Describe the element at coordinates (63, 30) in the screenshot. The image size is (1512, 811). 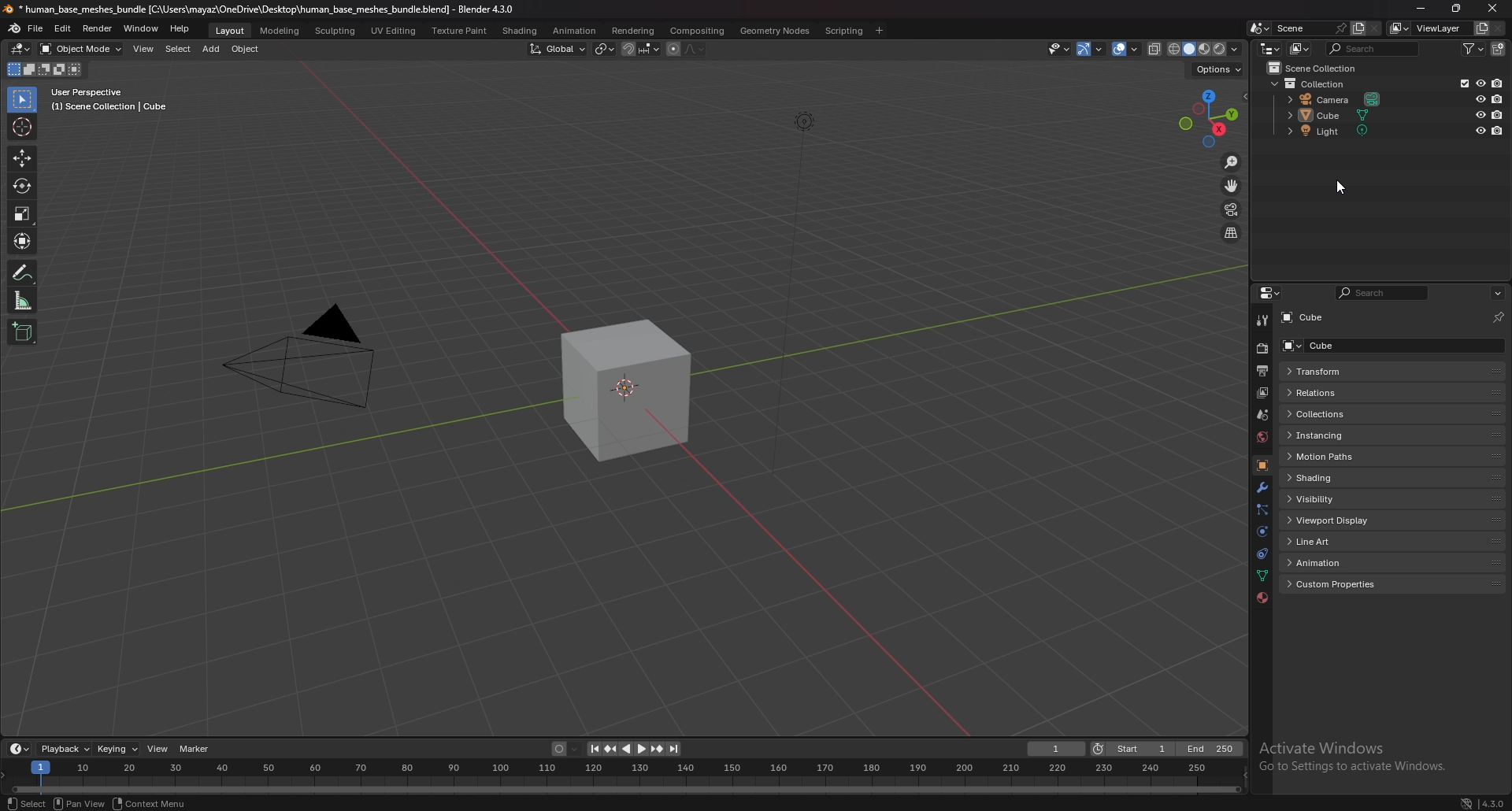
I see `edit` at that location.